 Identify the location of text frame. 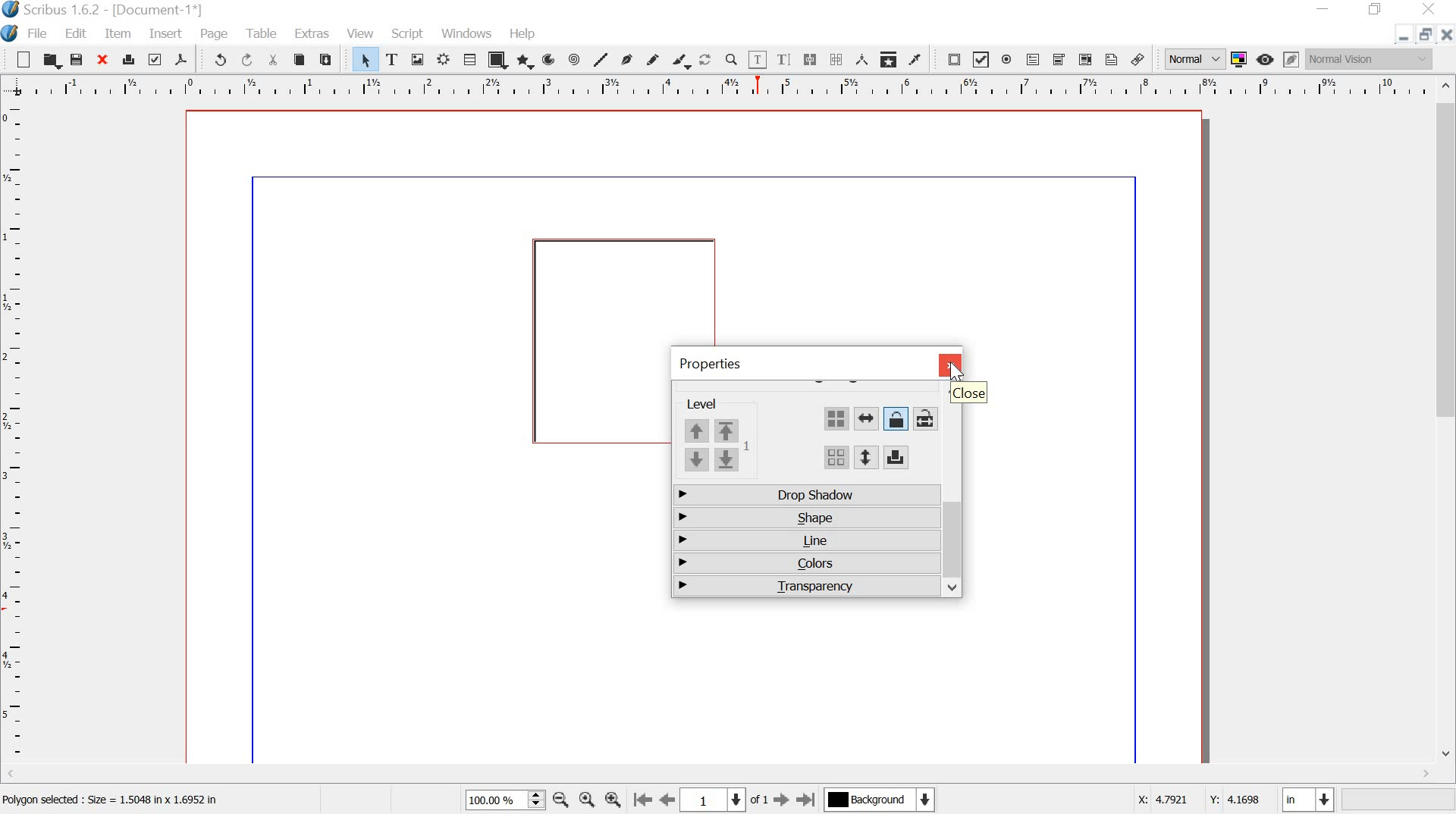
(396, 60).